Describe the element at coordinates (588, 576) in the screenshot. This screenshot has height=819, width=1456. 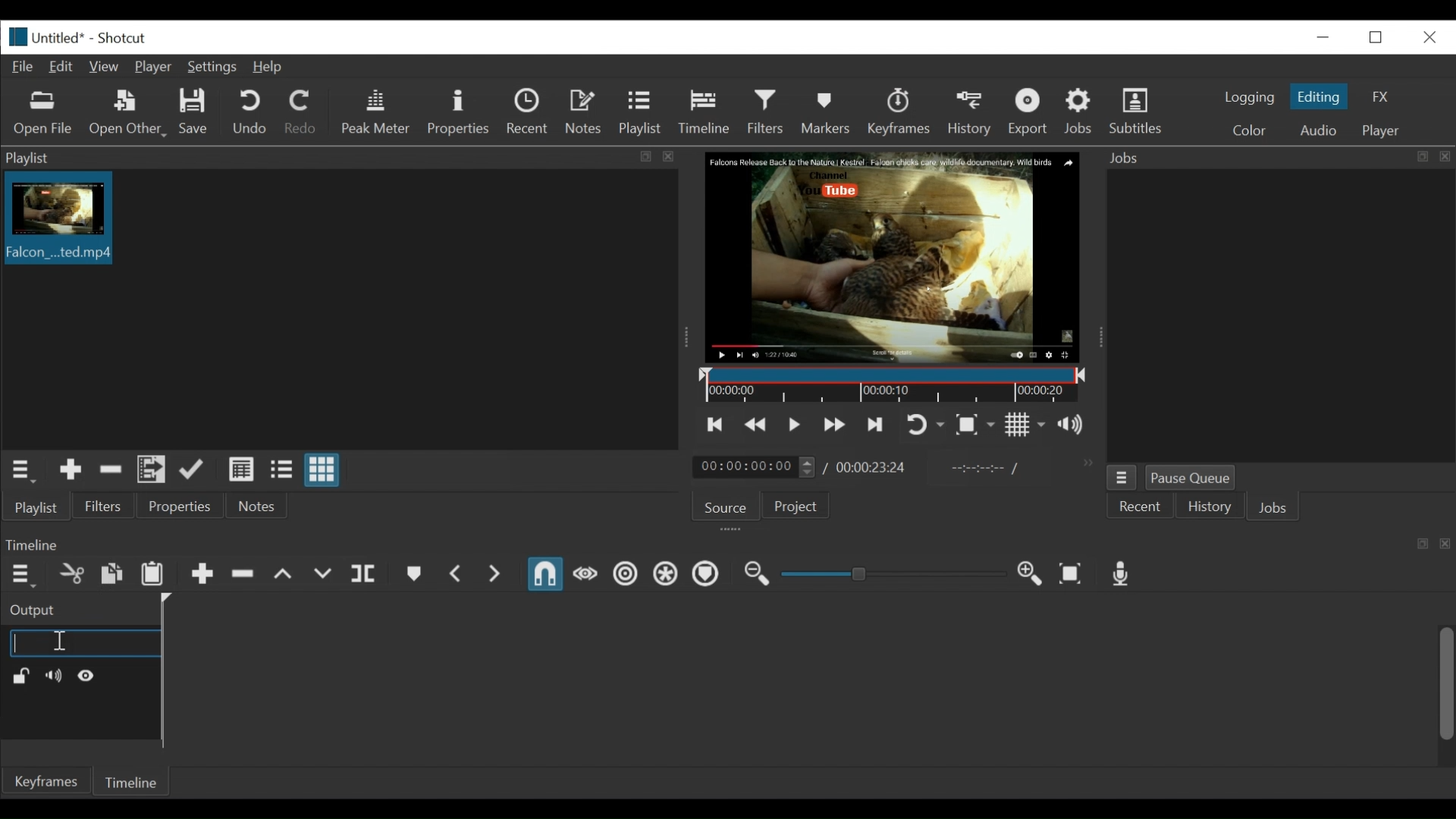
I see `Scrub while dragging` at that location.